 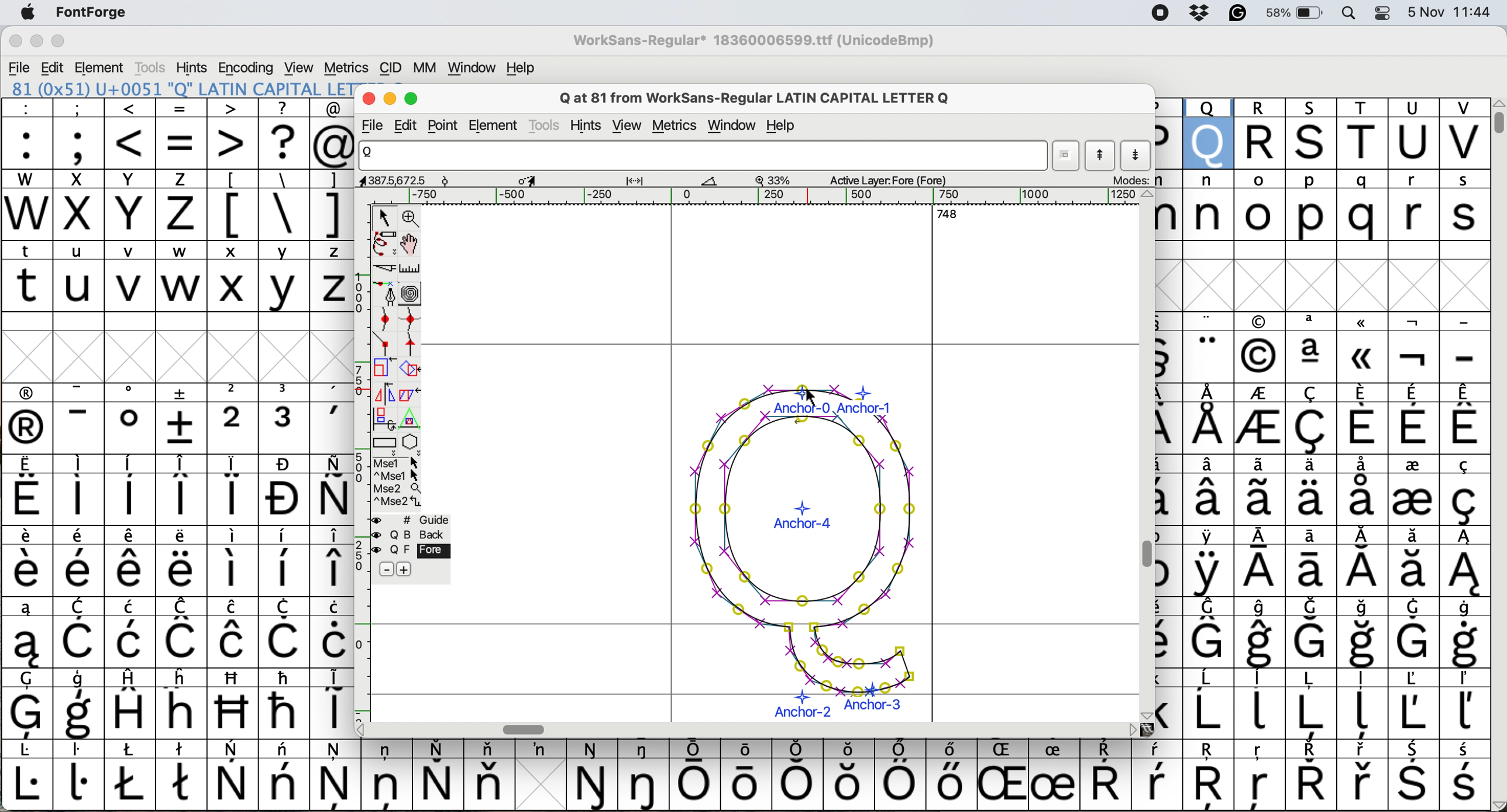 What do you see at coordinates (1165, 13) in the screenshot?
I see `screen recorder` at bounding box center [1165, 13].